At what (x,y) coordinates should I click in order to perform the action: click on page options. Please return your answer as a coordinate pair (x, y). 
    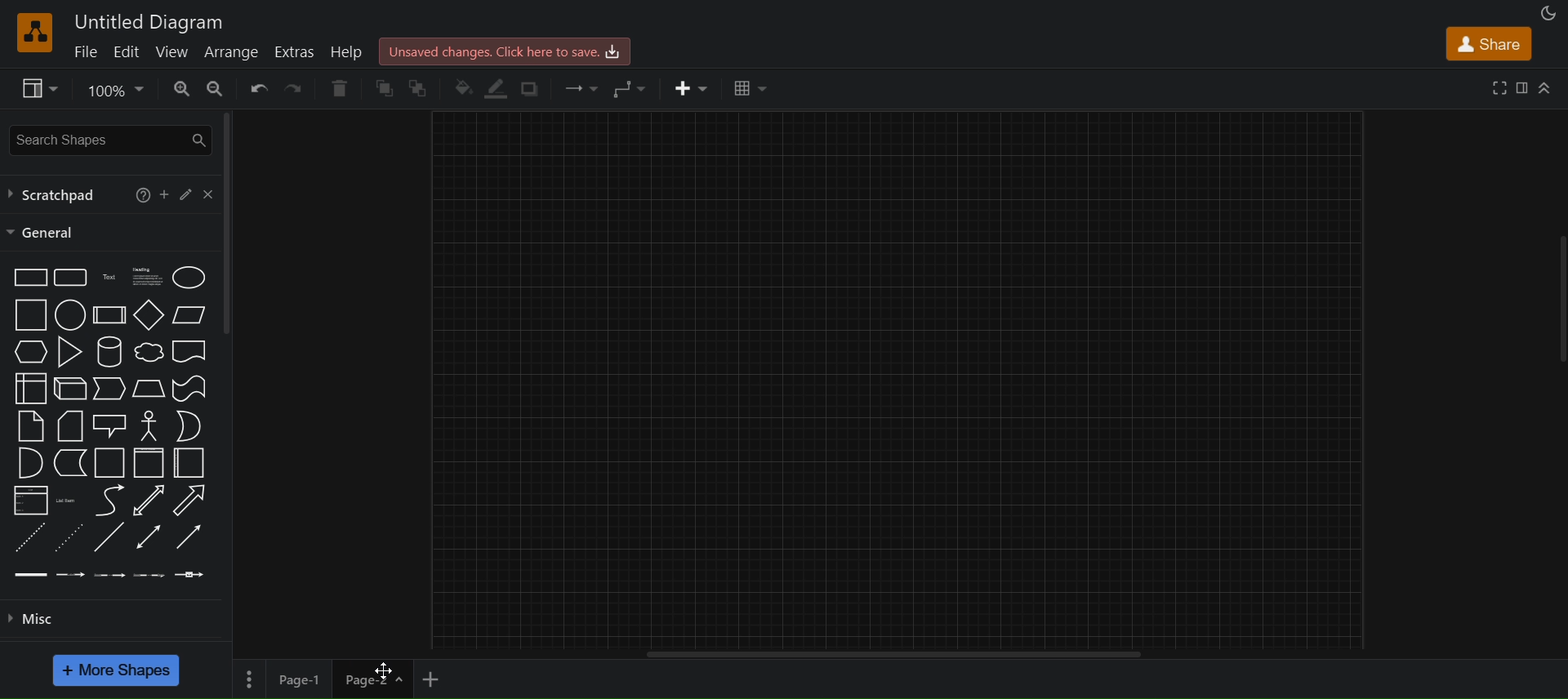
    Looking at the image, I should click on (248, 678).